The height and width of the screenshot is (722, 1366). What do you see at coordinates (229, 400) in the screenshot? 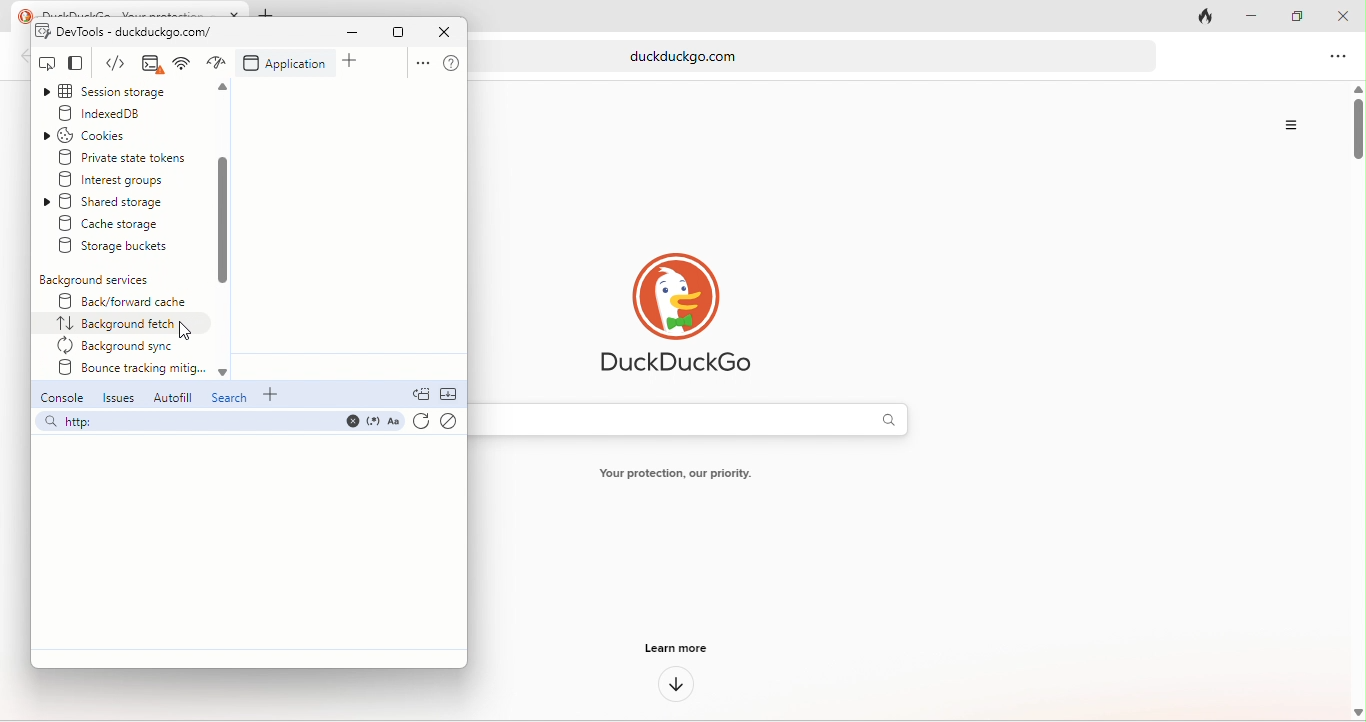
I see `search` at bounding box center [229, 400].